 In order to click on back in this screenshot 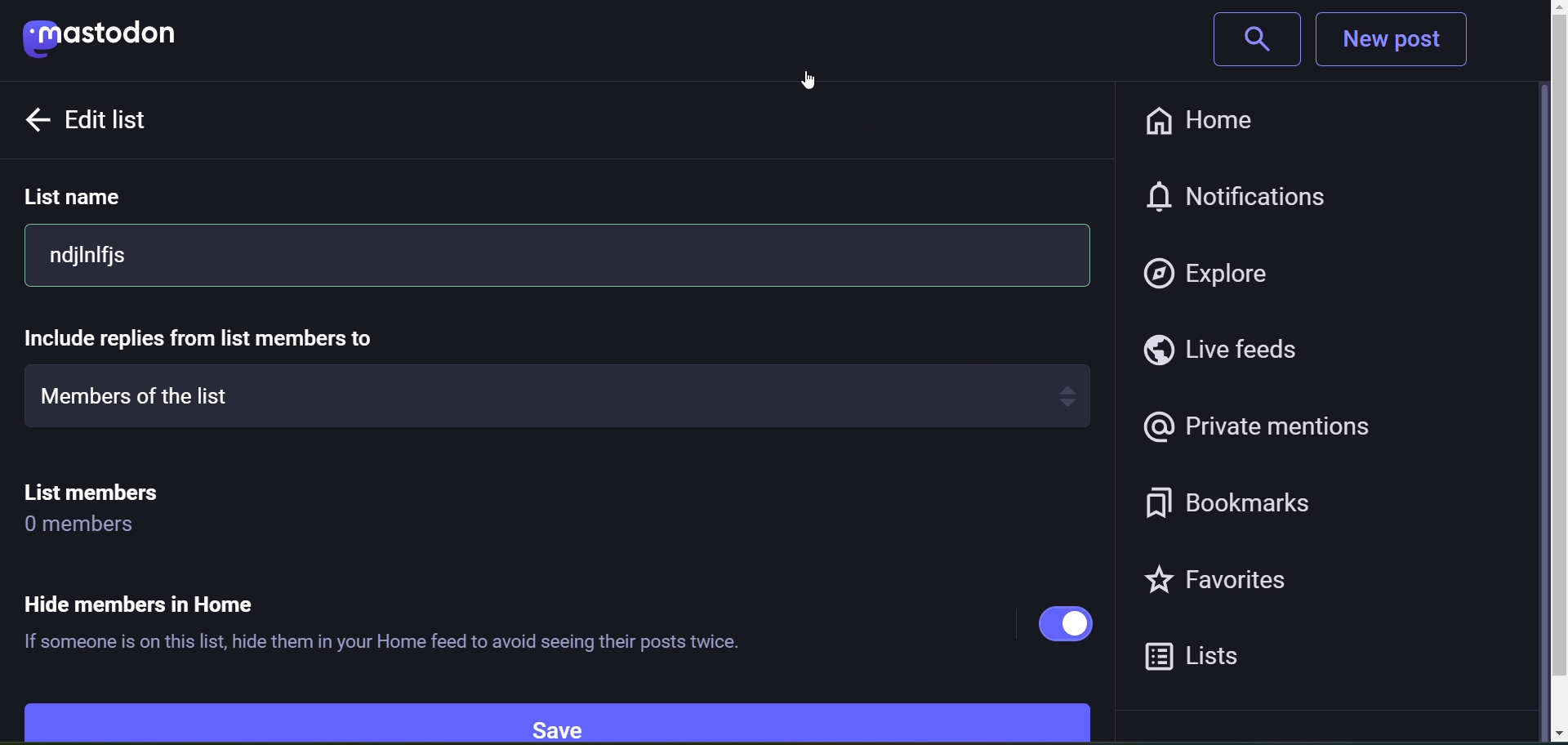, I will do `click(33, 119)`.